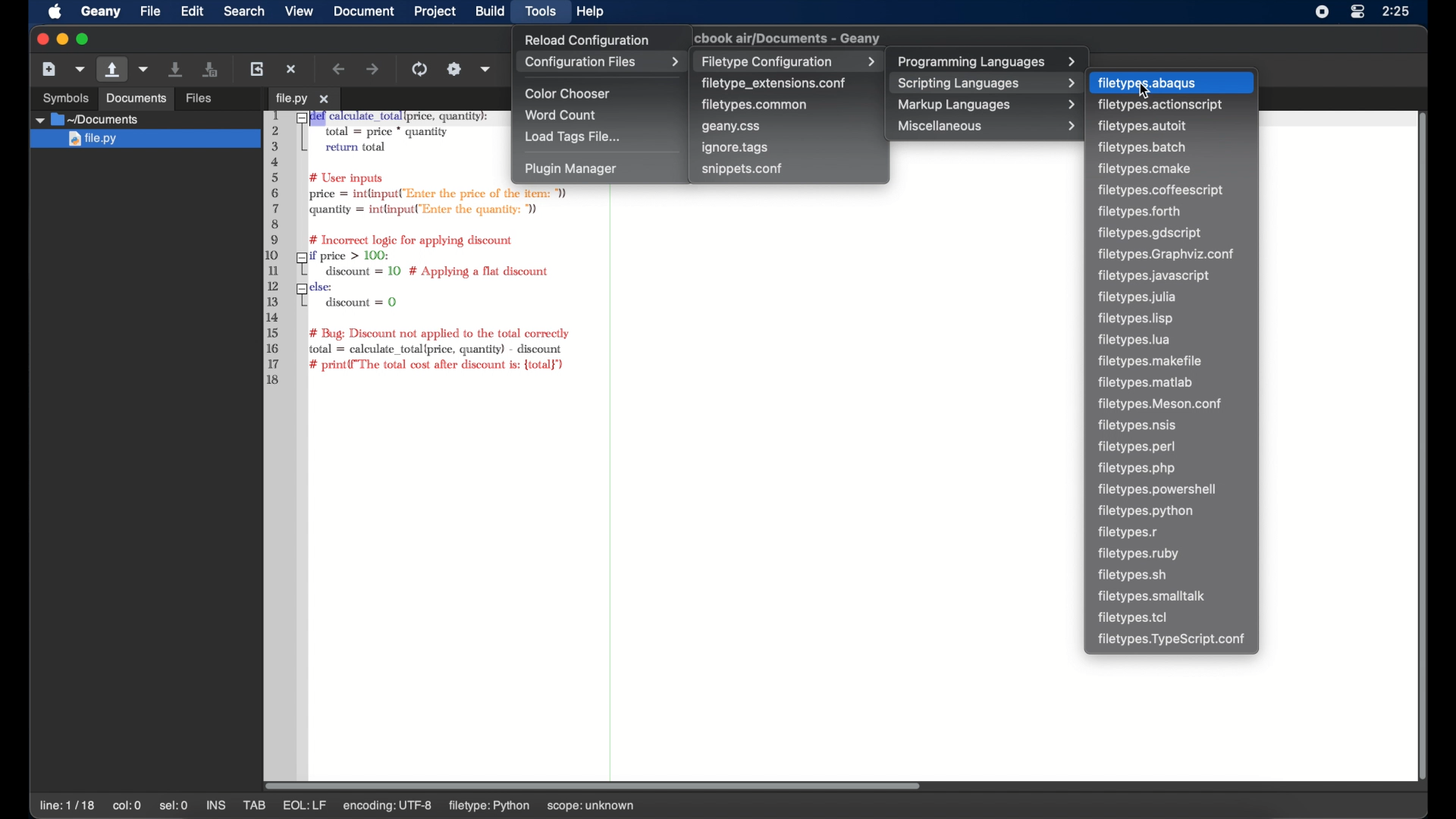  I want to click on filetypes, so click(1129, 533).